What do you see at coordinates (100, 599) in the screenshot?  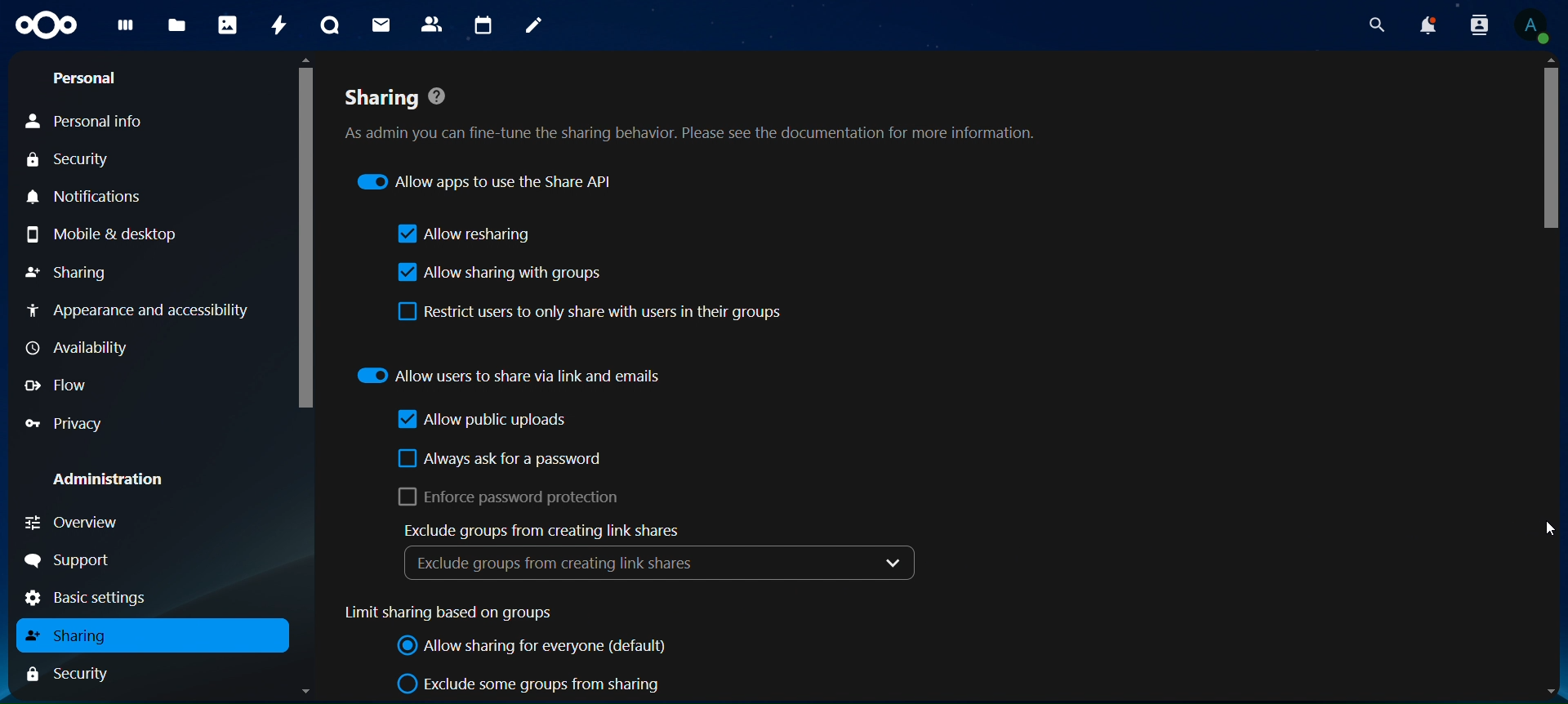 I see `basic settings` at bounding box center [100, 599].